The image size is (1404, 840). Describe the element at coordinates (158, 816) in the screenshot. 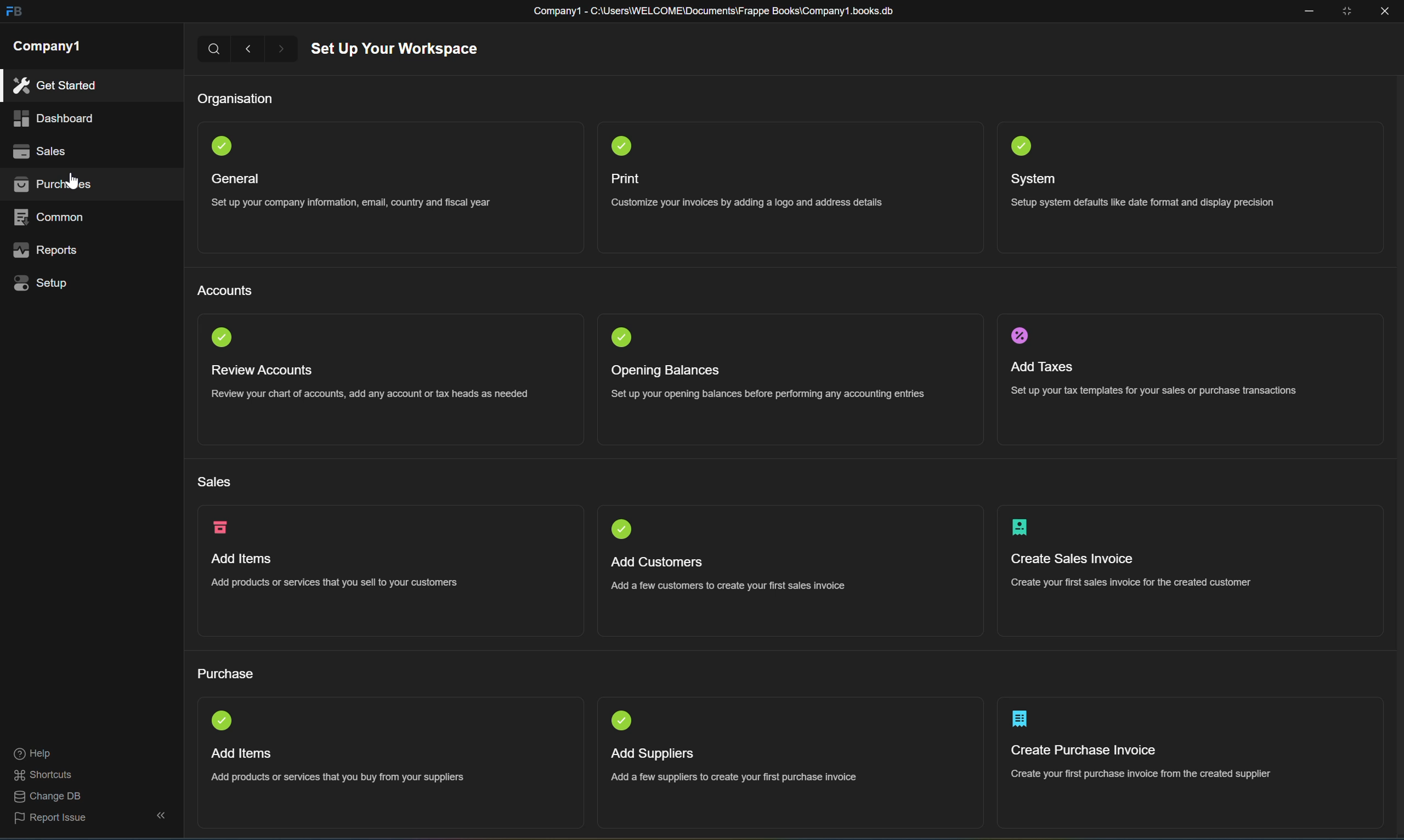

I see `hide` at that location.